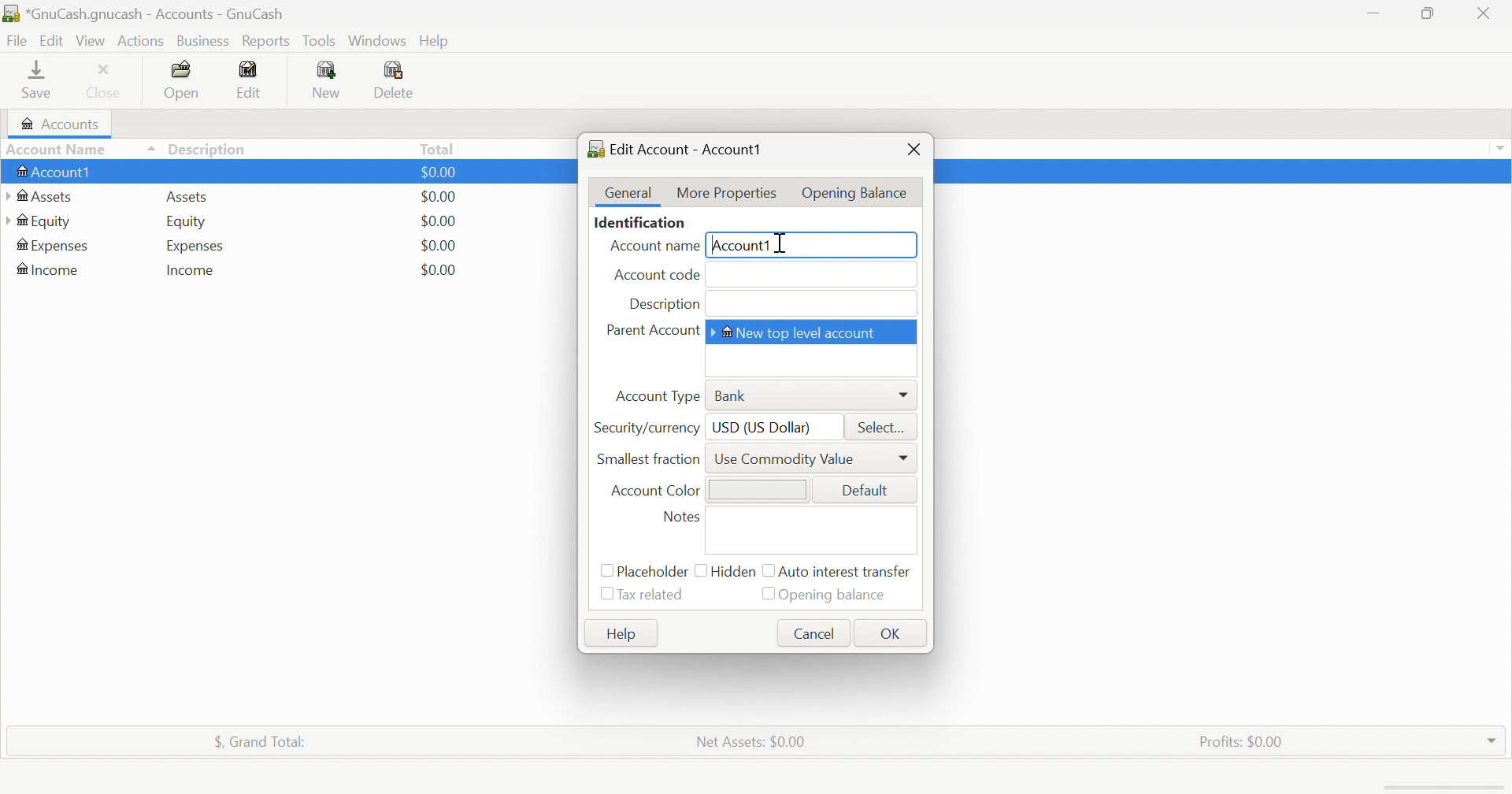  What do you see at coordinates (259, 742) in the screenshot?
I see `$, Grand Total:` at bounding box center [259, 742].